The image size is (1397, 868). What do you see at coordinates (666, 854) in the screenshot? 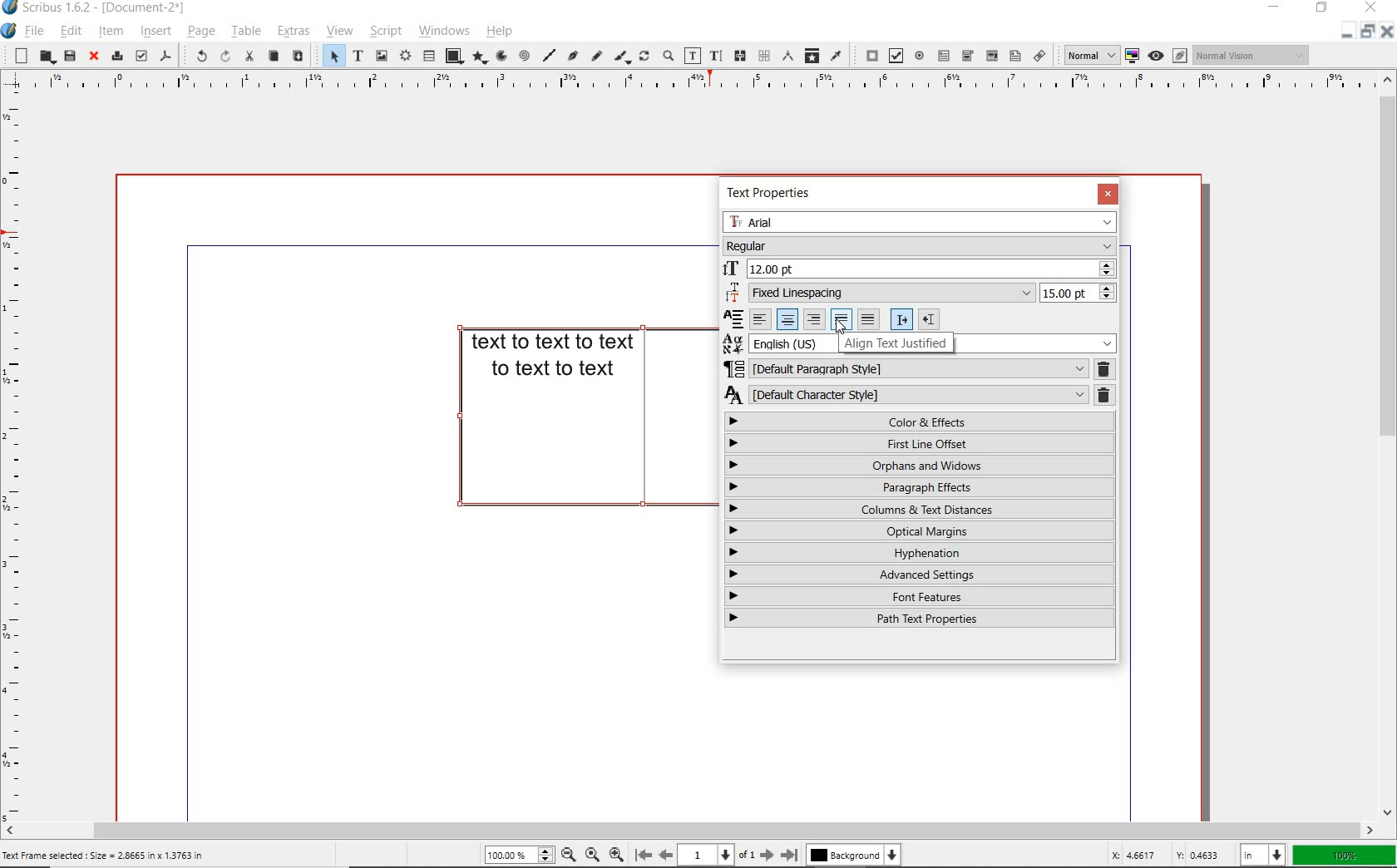
I see `go back` at bounding box center [666, 854].